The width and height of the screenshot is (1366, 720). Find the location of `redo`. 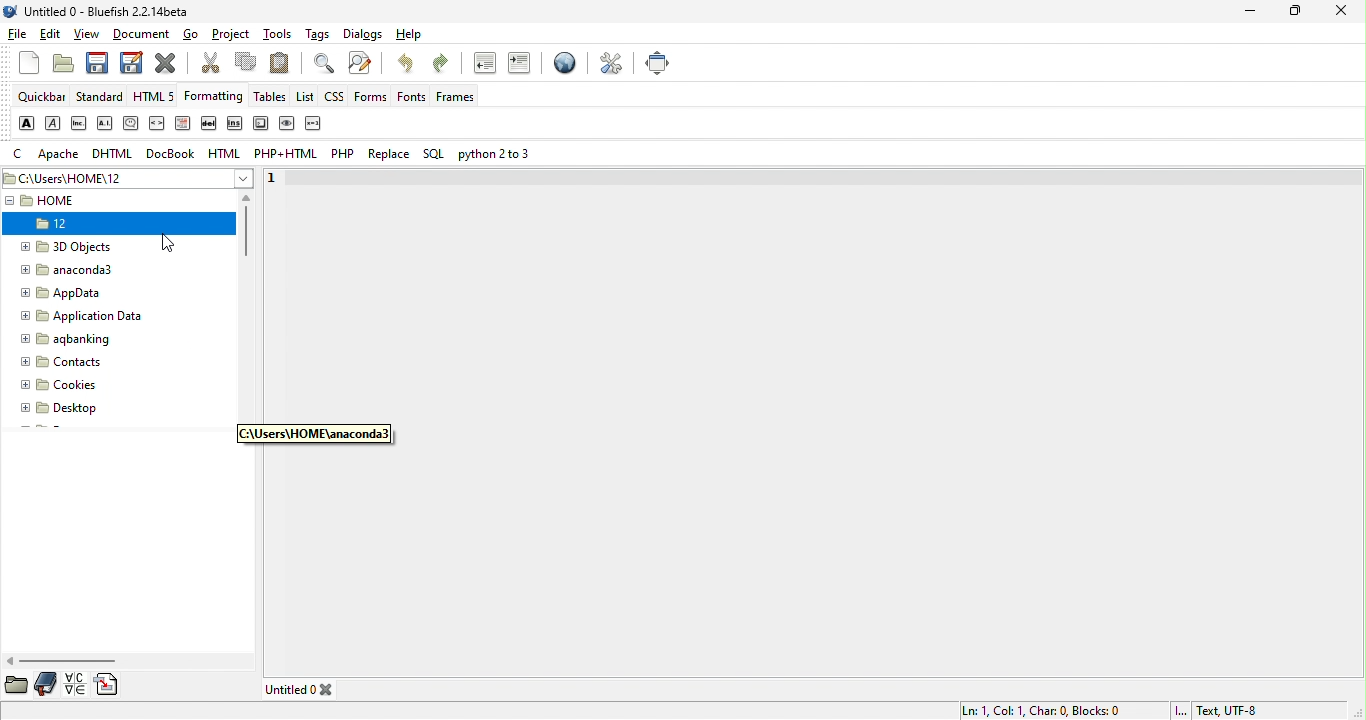

redo is located at coordinates (447, 67).